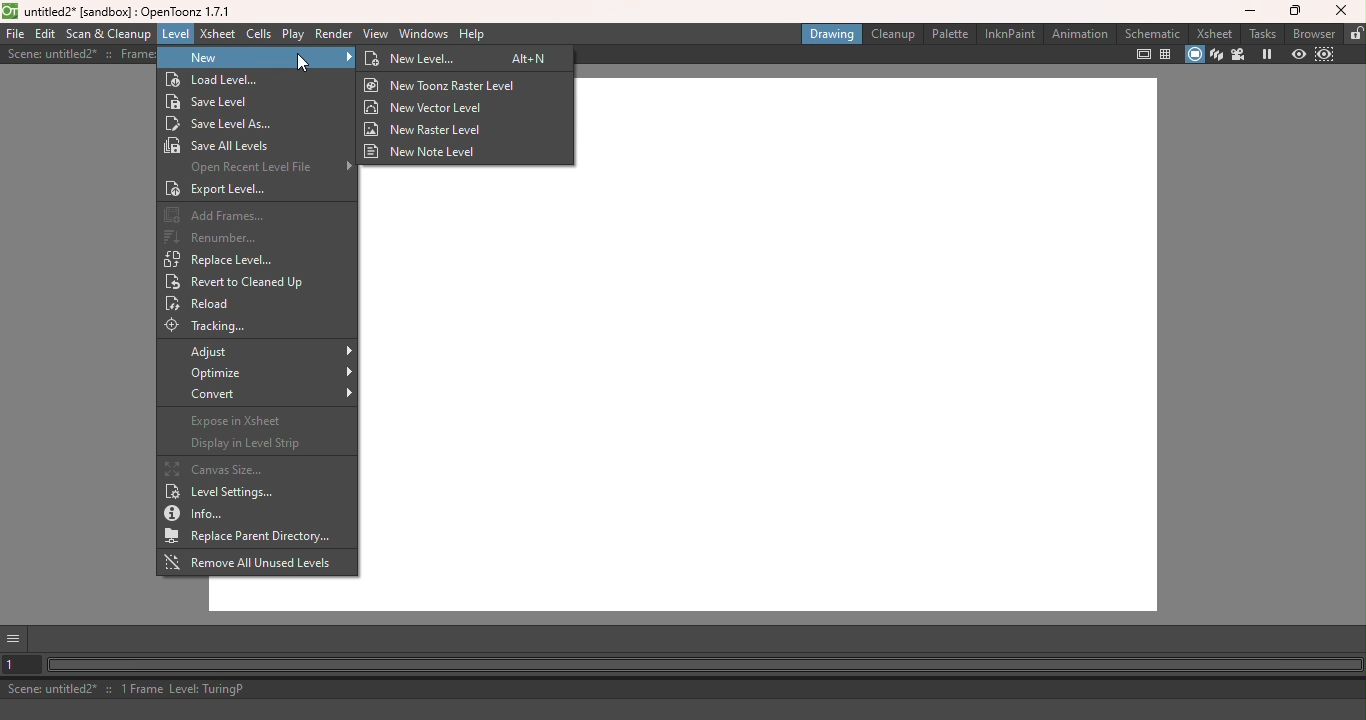  Describe the element at coordinates (1153, 34) in the screenshot. I see `Schematic` at that location.